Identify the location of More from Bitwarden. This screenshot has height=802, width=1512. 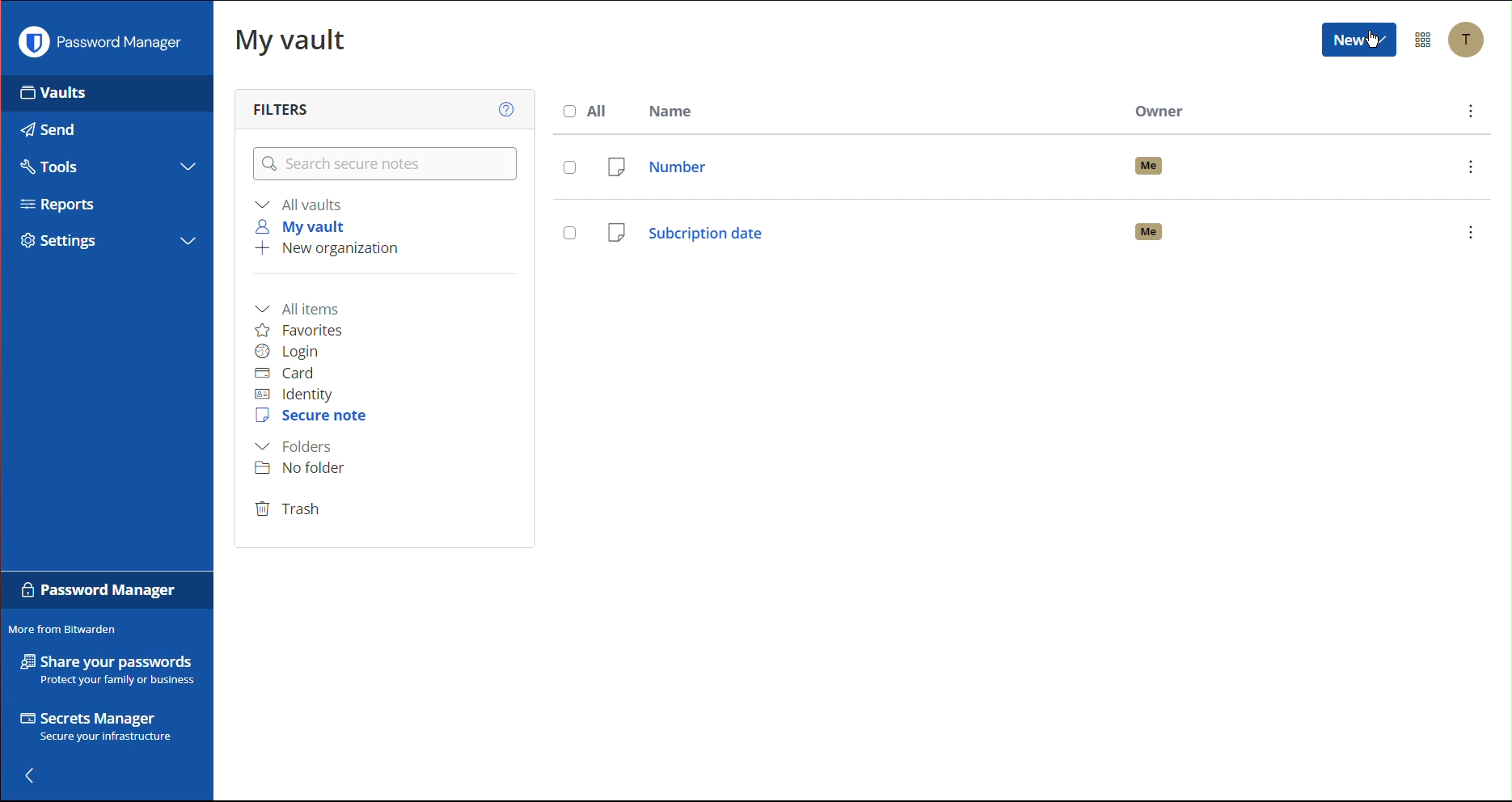
(69, 628).